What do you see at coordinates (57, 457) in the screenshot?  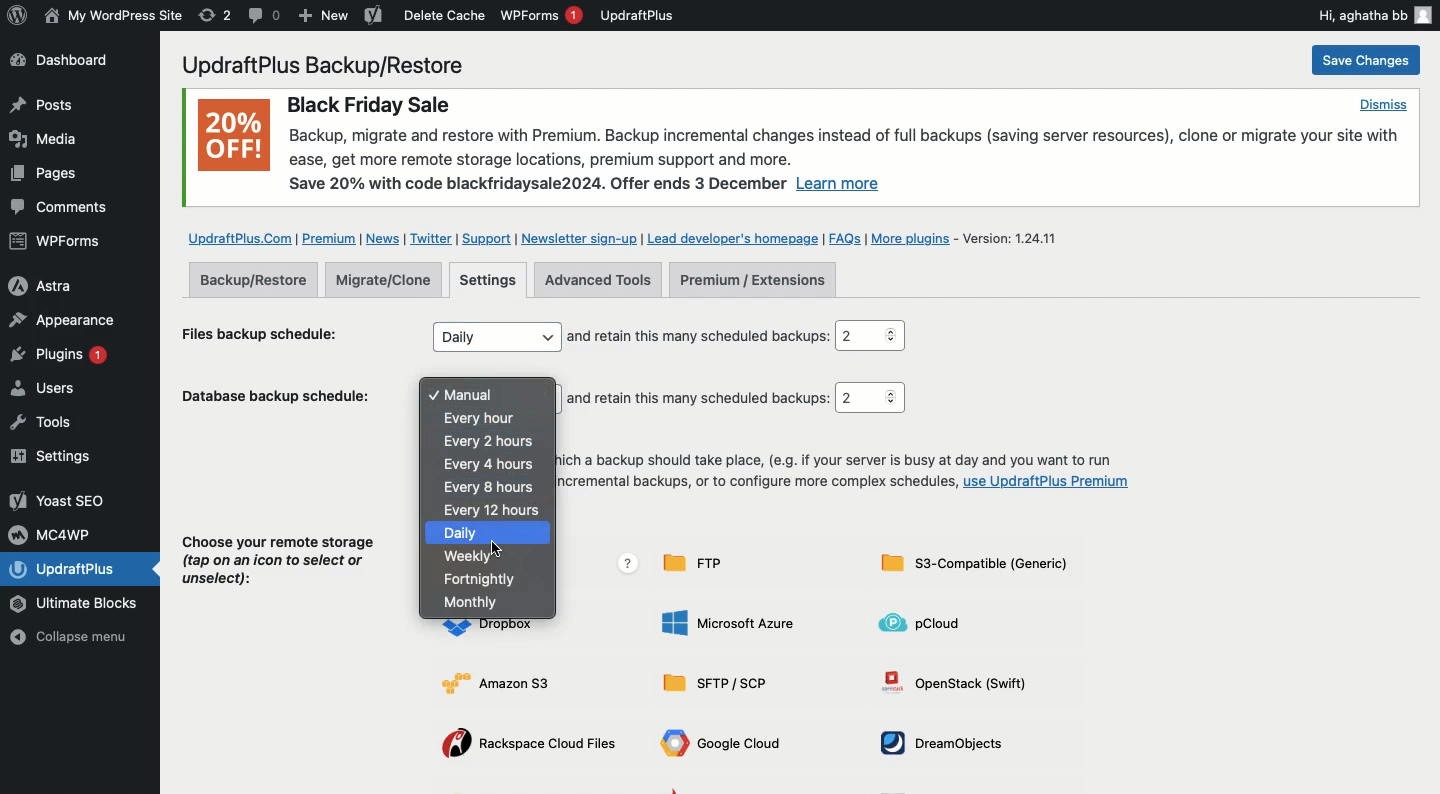 I see `Settings` at bounding box center [57, 457].